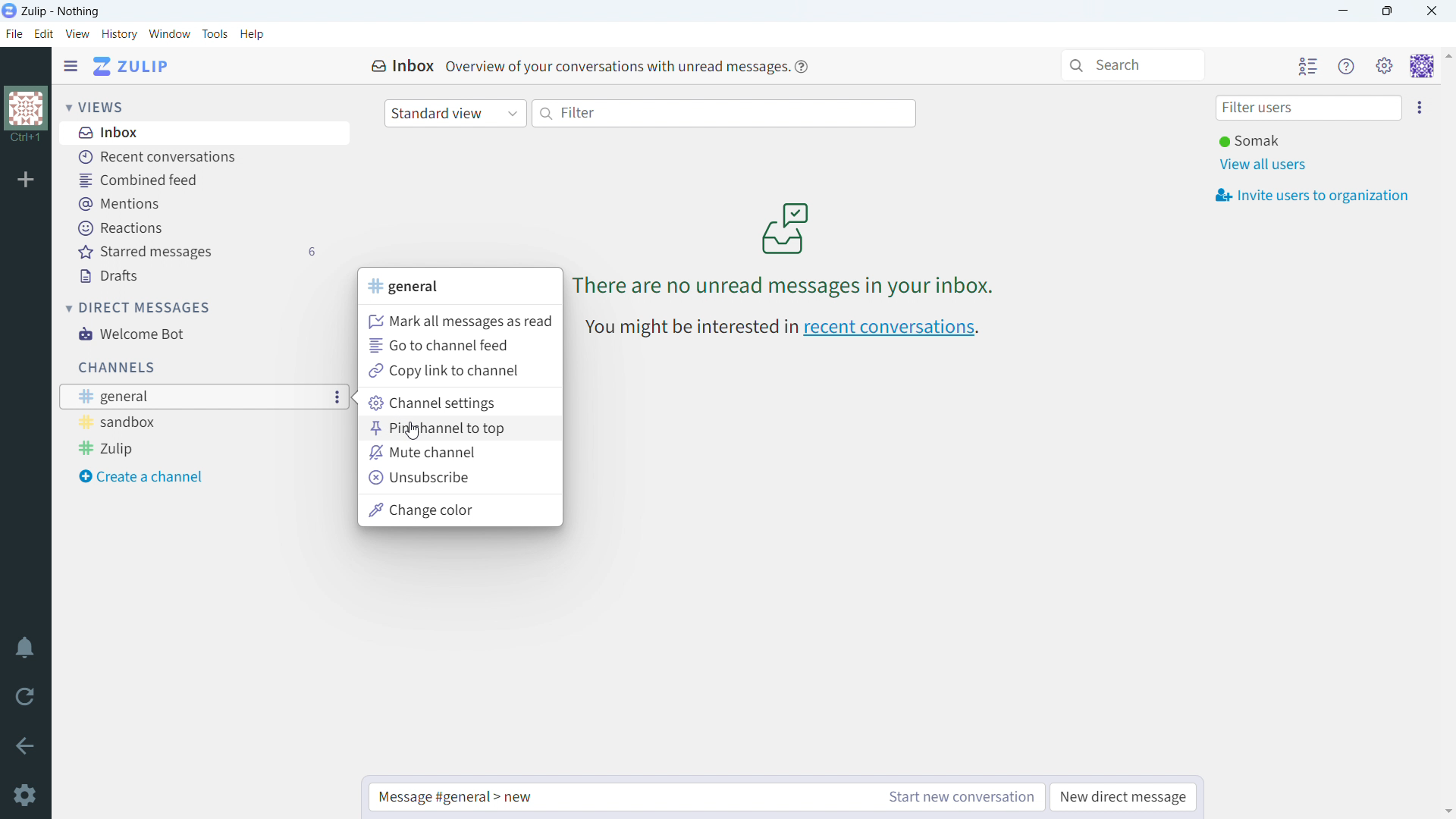 This screenshot has width=1456, height=819. Describe the element at coordinates (95, 106) in the screenshot. I see `views` at that location.